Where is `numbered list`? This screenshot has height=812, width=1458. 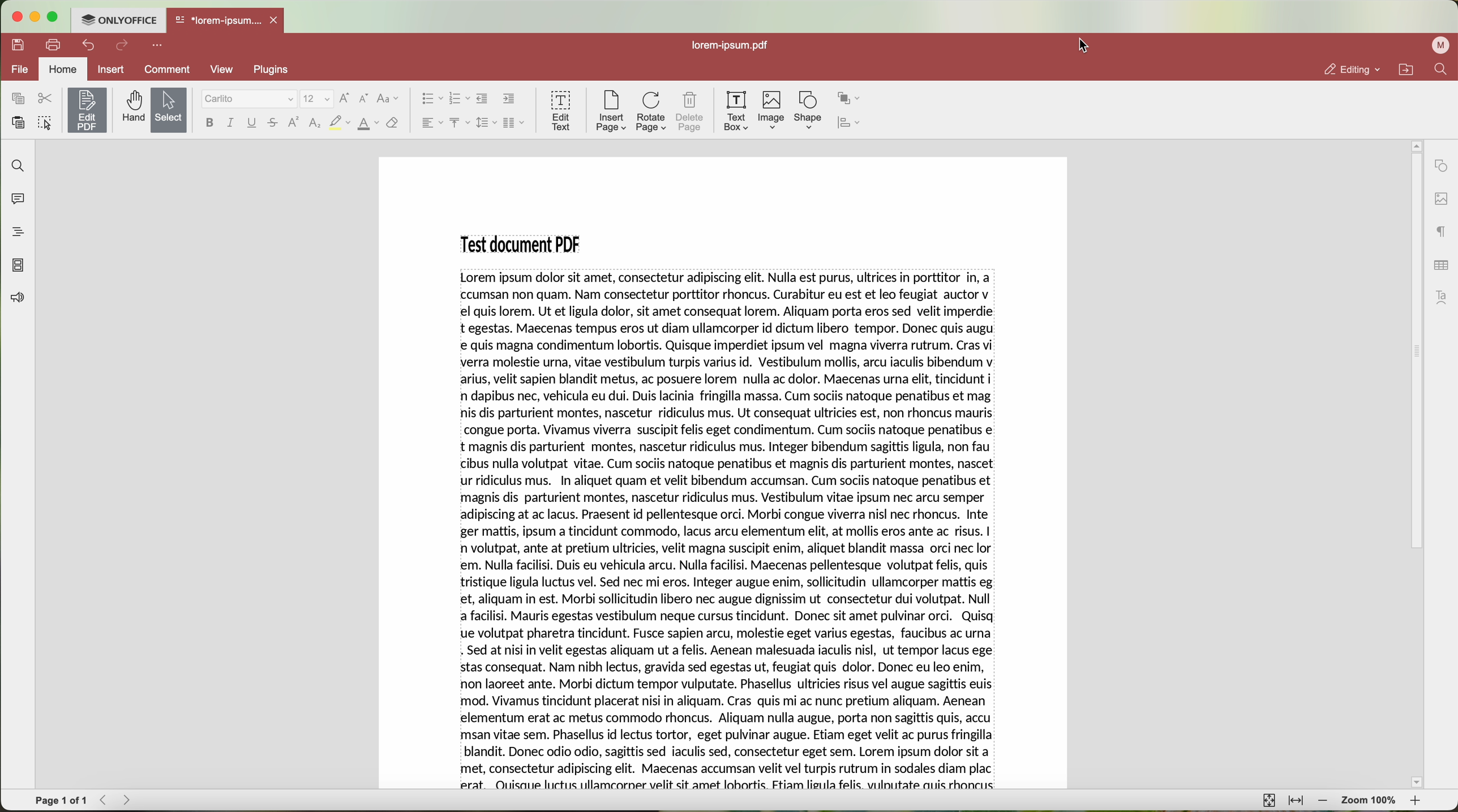
numbered list is located at coordinates (460, 100).